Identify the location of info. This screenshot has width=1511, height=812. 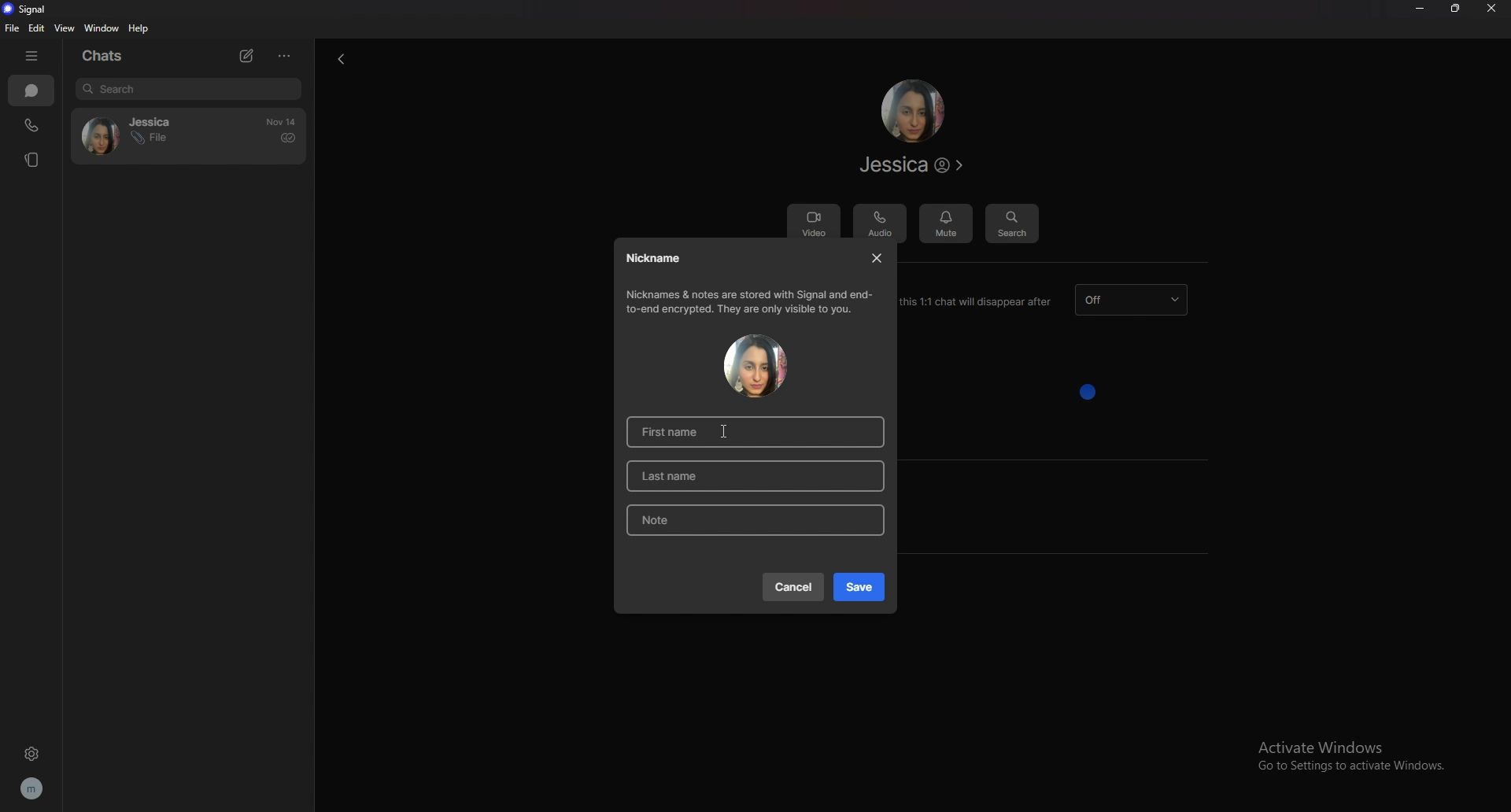
(752, 301).